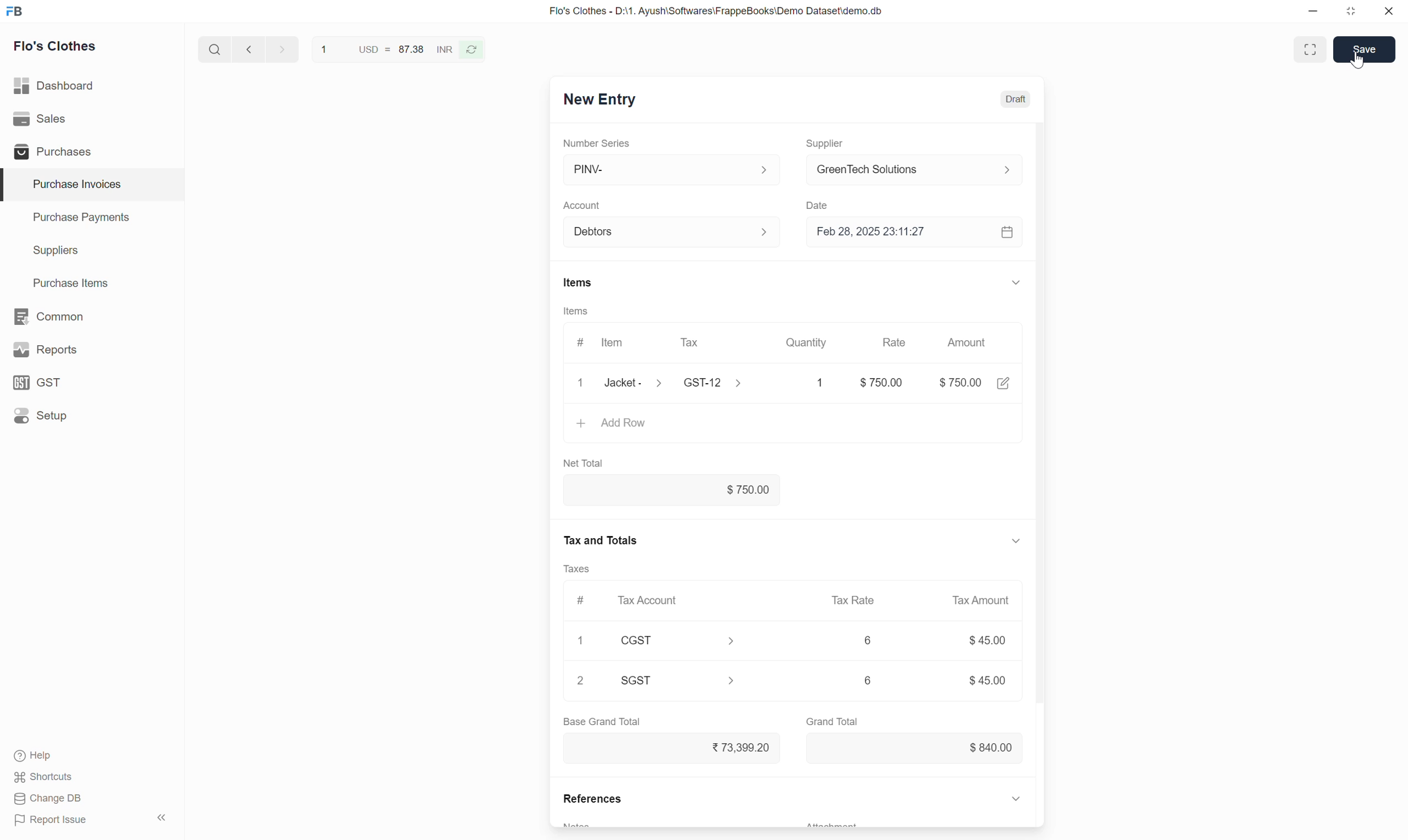 This screenshot has width=1408, height=840. I want to click on 750, so click(875, 382).